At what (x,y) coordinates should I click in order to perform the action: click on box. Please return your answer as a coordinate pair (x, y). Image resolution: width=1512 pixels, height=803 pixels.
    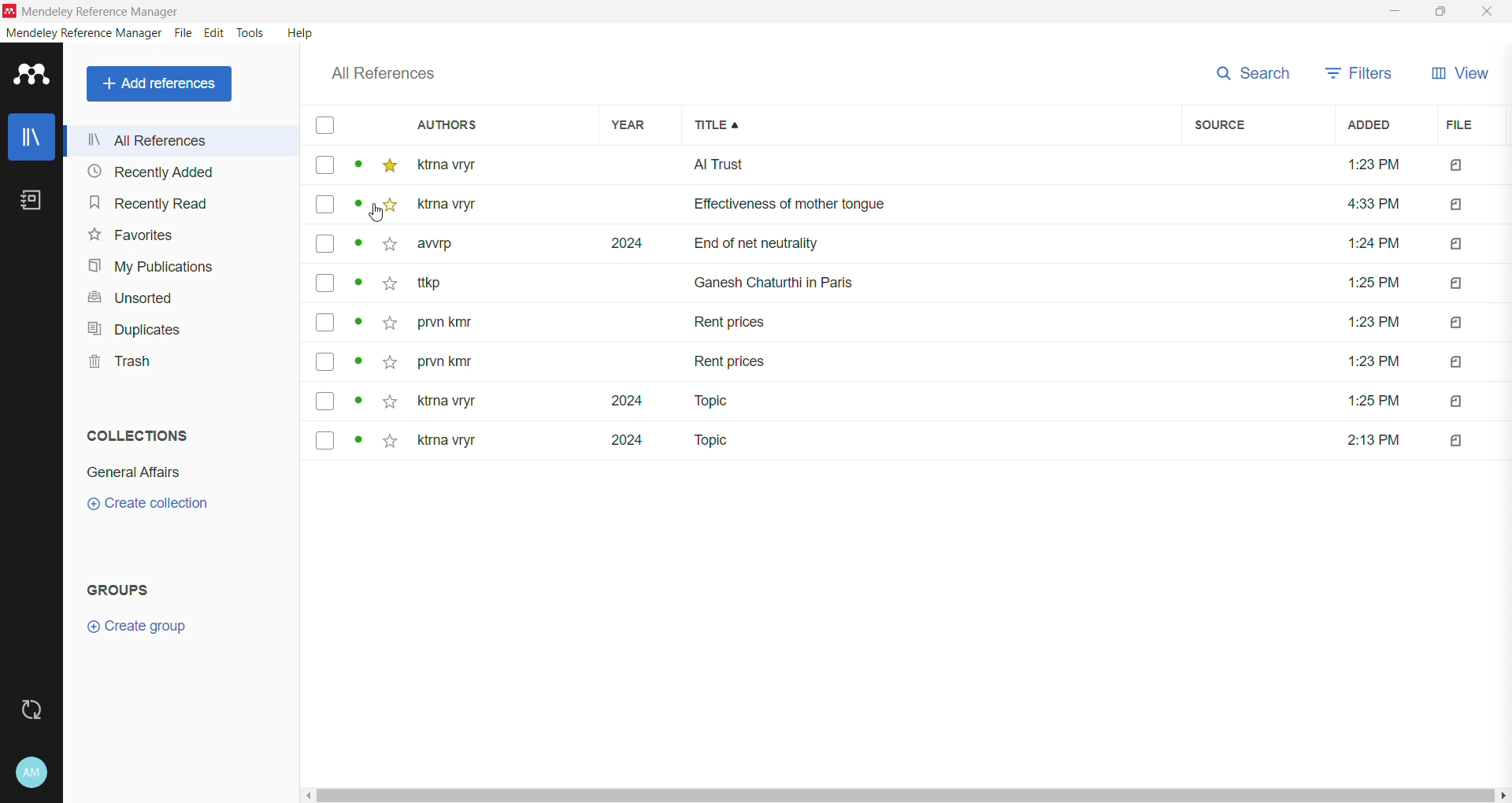
    Looking at the image, I should click on (325, 439).